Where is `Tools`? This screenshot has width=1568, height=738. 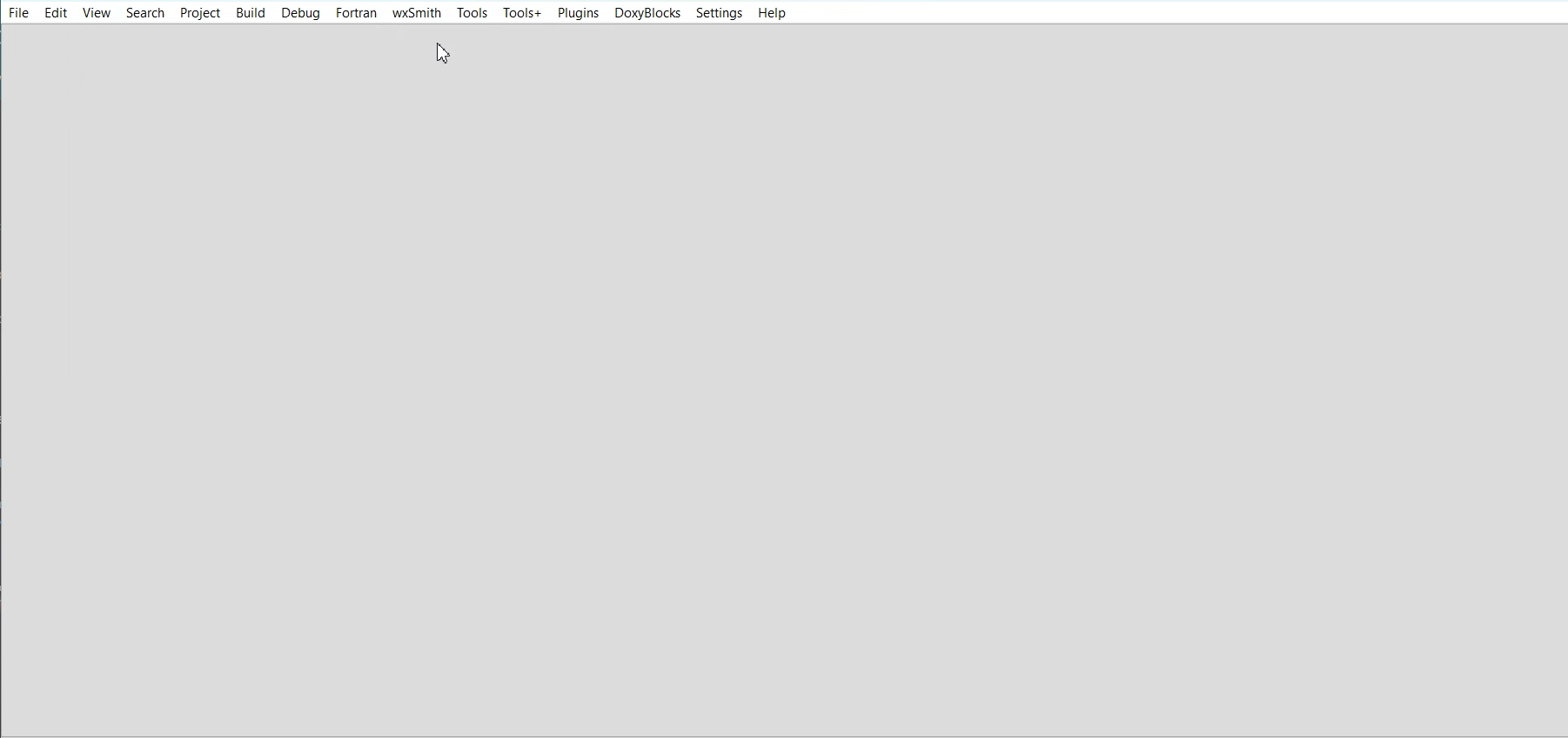
Tools is located at coordinates (472, 12).